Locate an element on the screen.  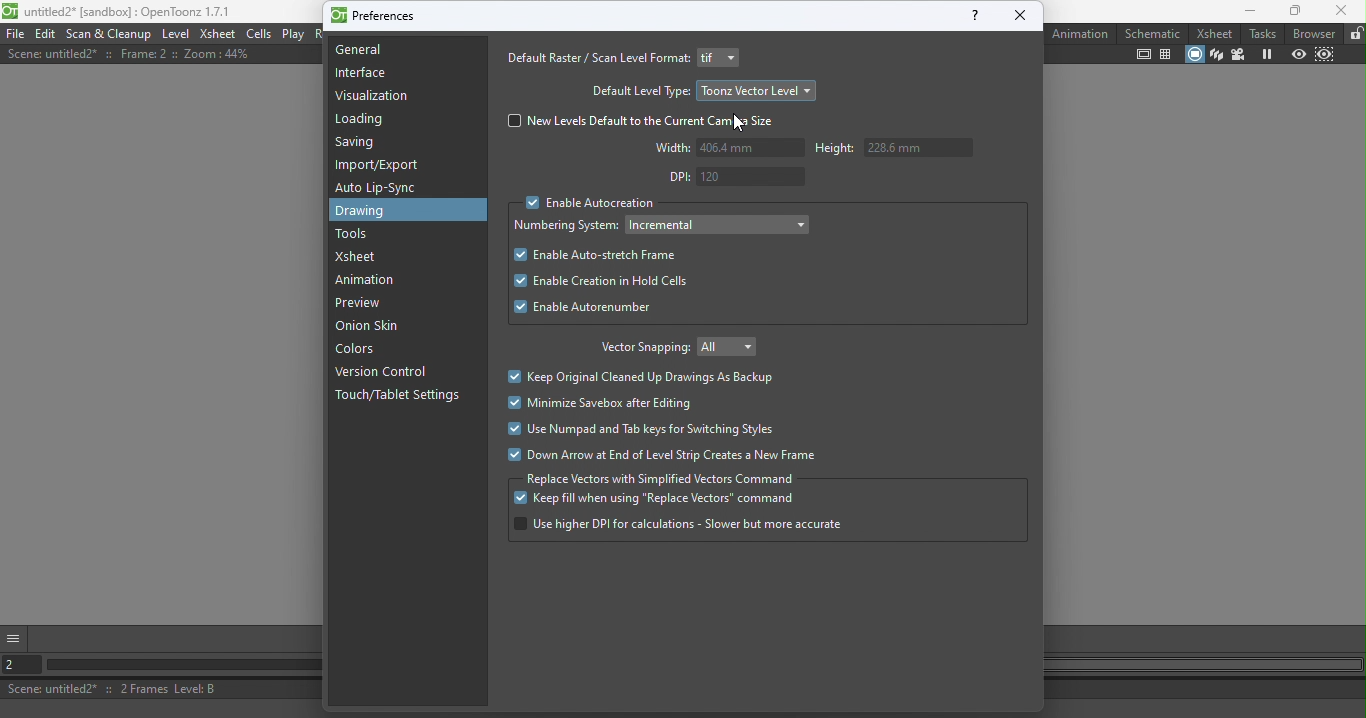
Scene: untitled2* :: 2 Frames Level: B is located at coordinates (157, 689).